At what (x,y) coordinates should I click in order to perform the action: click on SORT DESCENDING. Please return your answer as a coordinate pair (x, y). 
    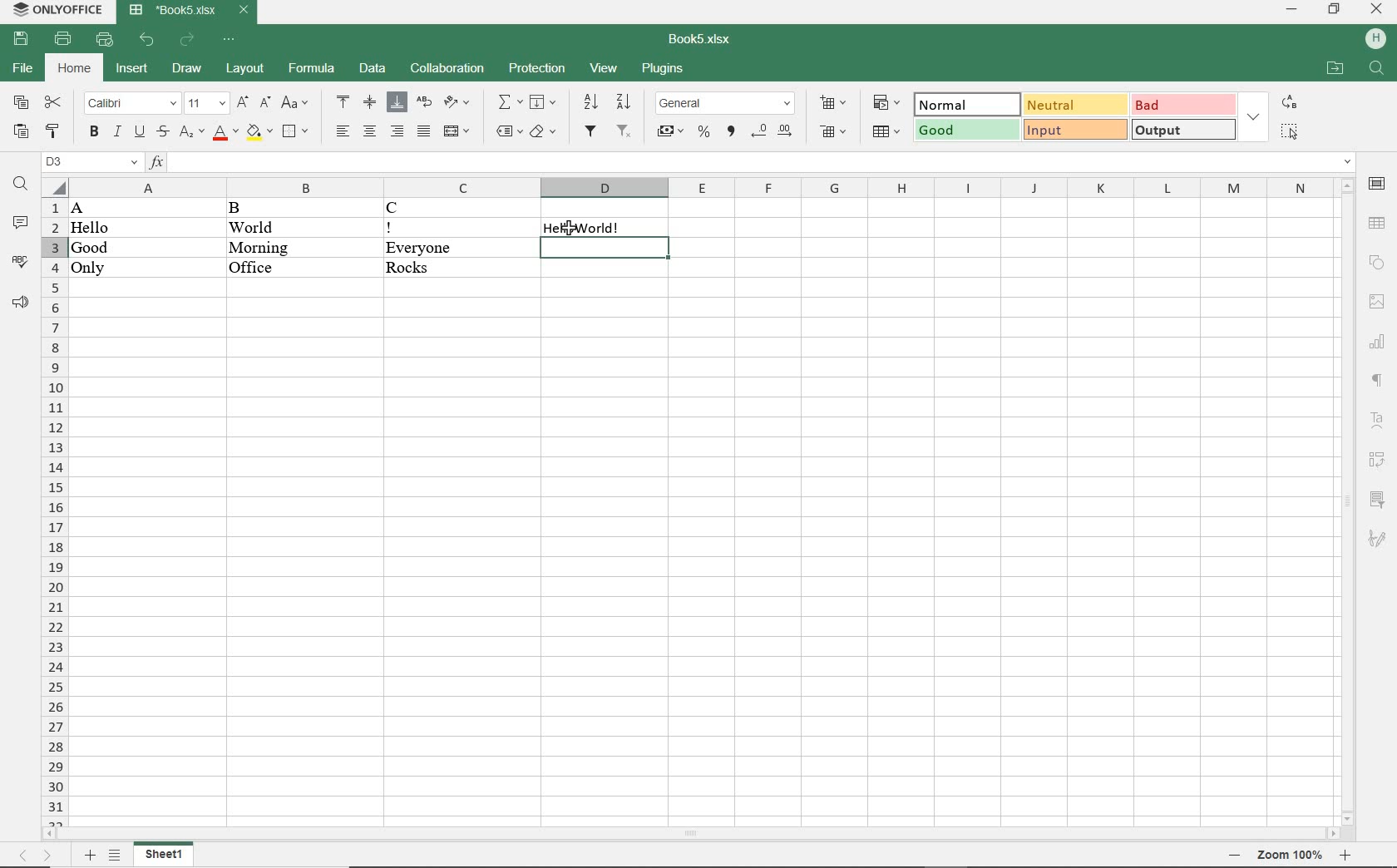
    Looking at the image, I should click on (624, 101).